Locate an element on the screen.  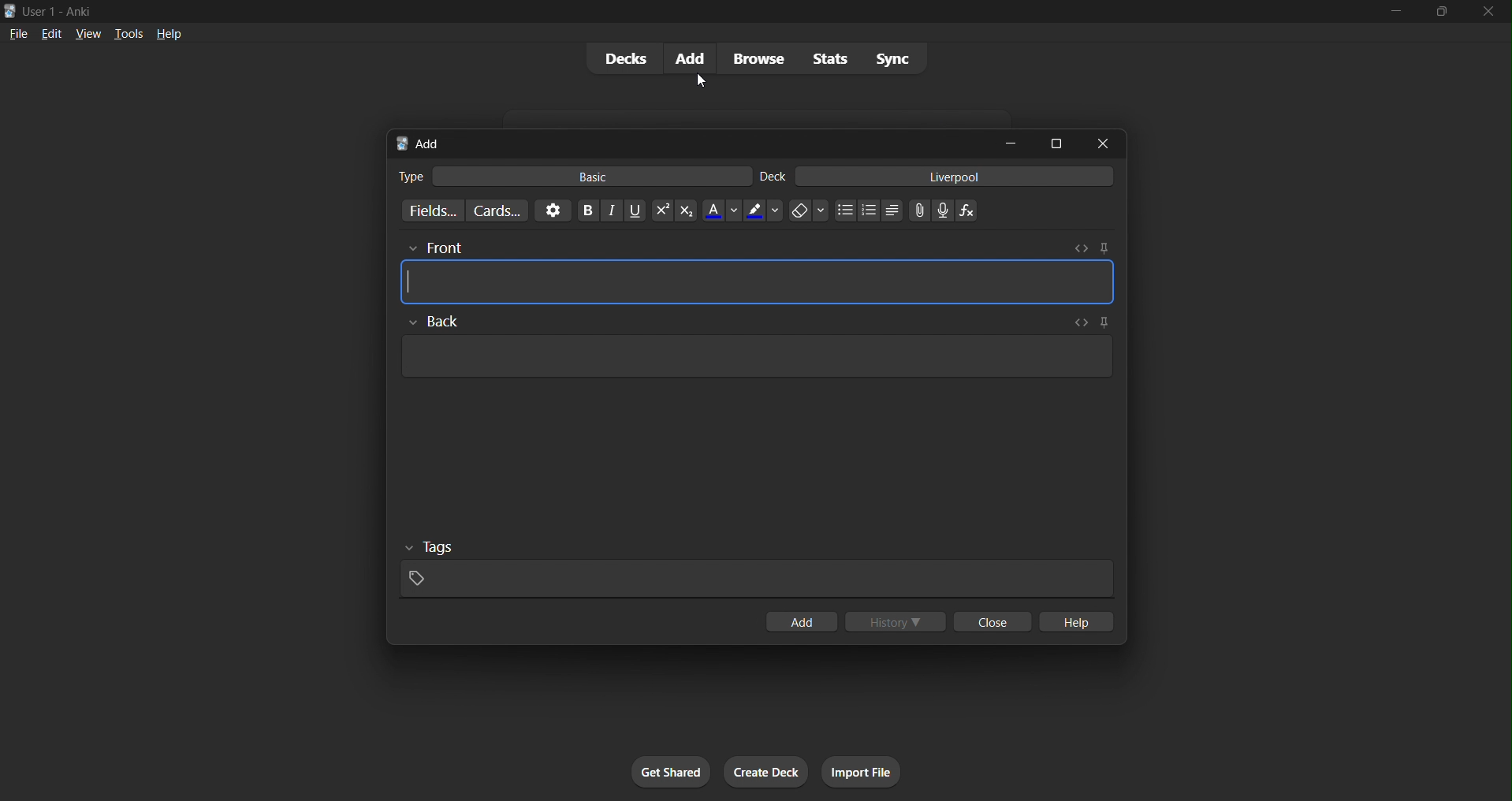
close is located at coordinates (1490, 13).